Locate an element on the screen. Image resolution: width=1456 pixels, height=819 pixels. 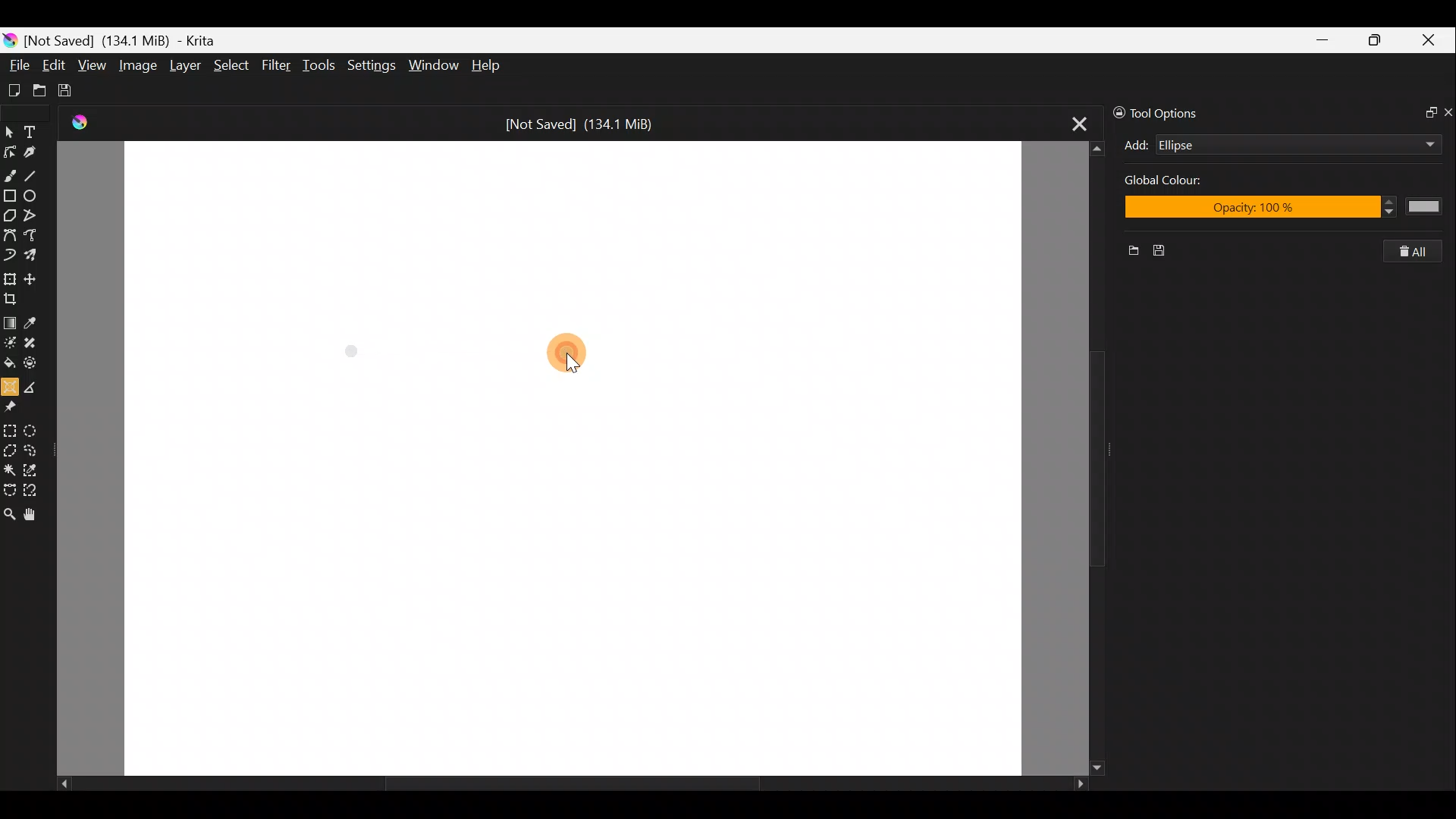
Maximize is located at coordinates (1379, 39).